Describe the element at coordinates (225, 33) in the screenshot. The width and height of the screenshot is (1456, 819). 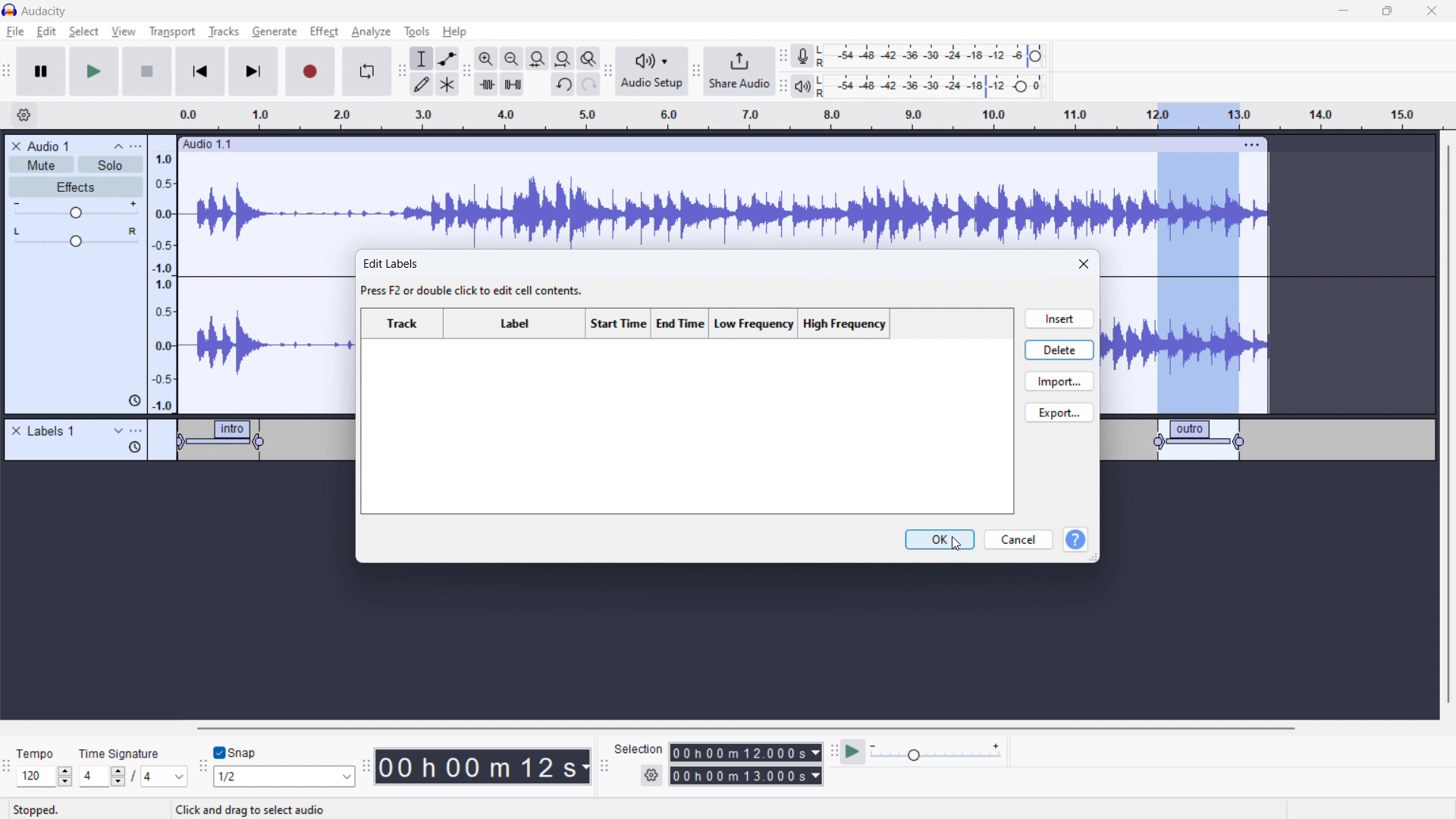
I see `tracks` at that location.